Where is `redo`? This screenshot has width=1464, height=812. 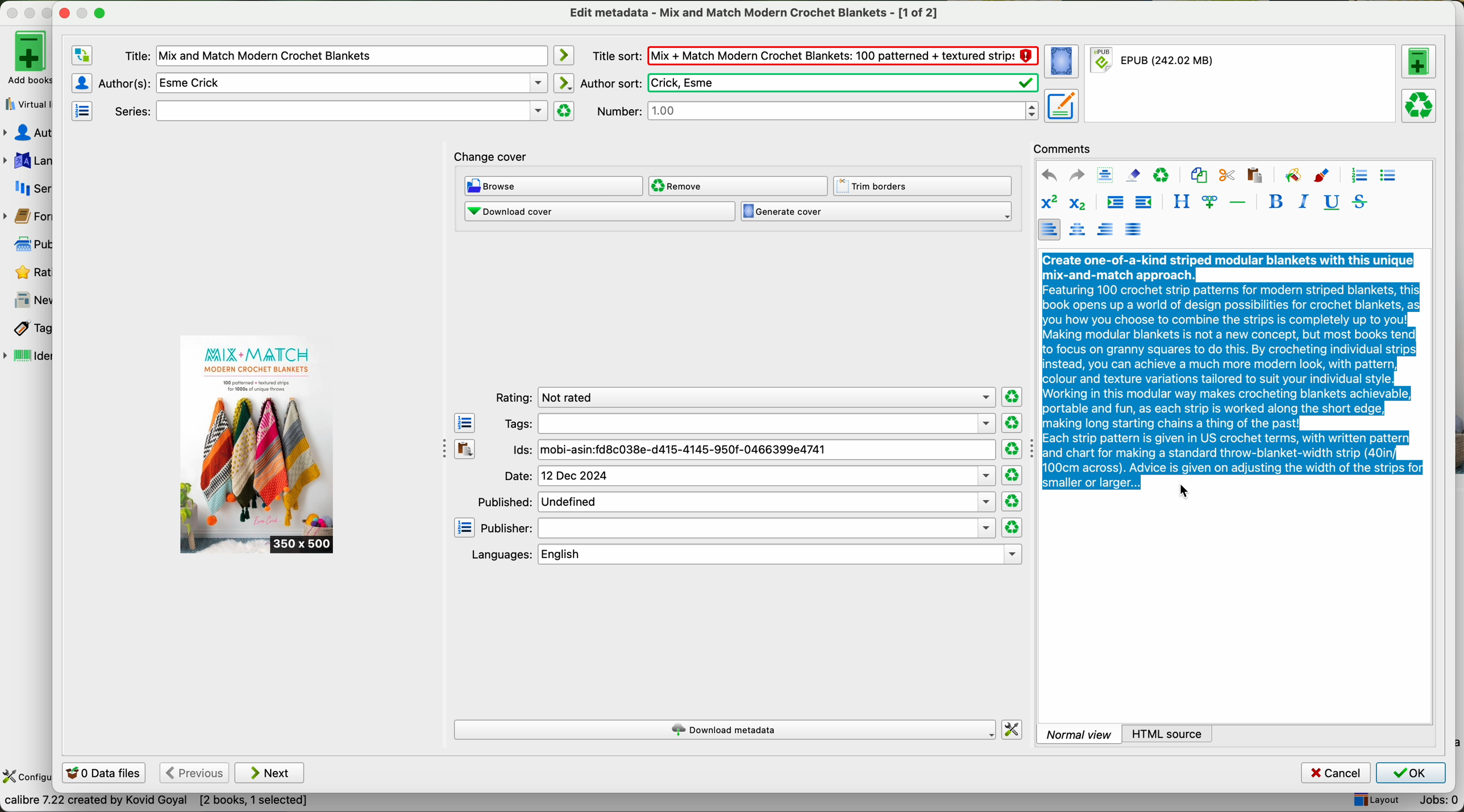 redo is located at coordinates (1076, 174).